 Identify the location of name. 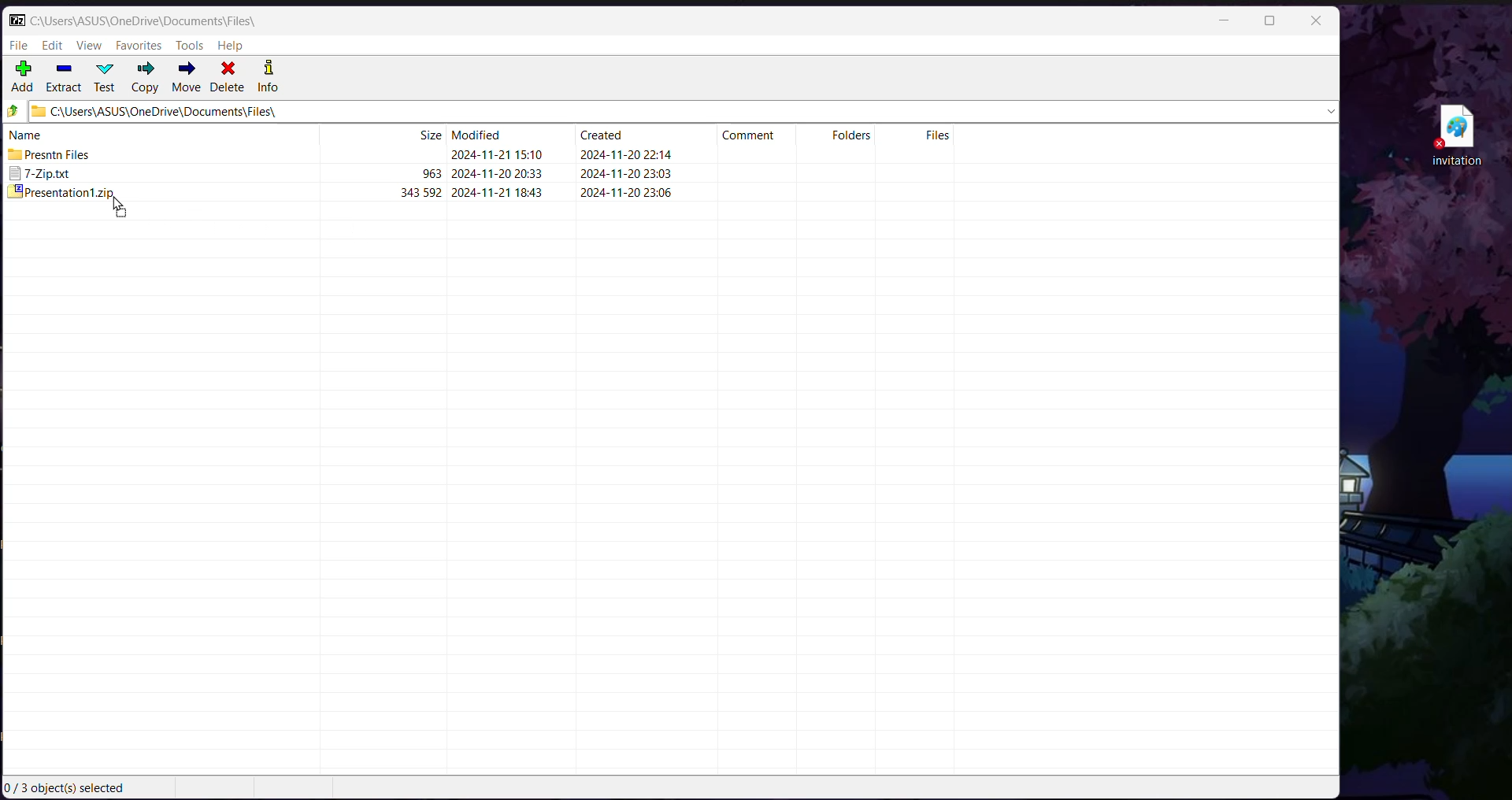
(26, 134).